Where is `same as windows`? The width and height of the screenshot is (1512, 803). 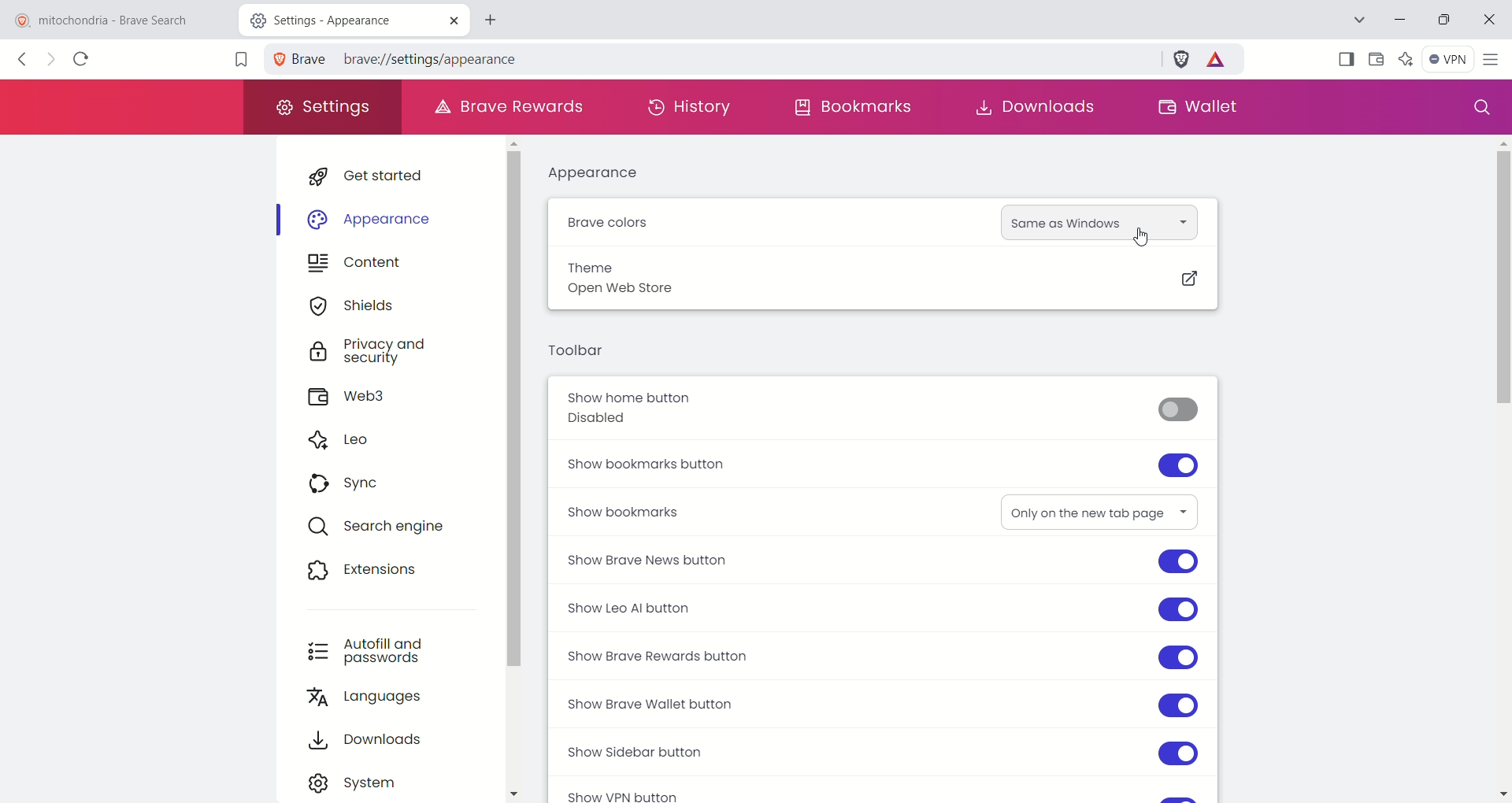 same as windows is located at coordinates (1065, 223).